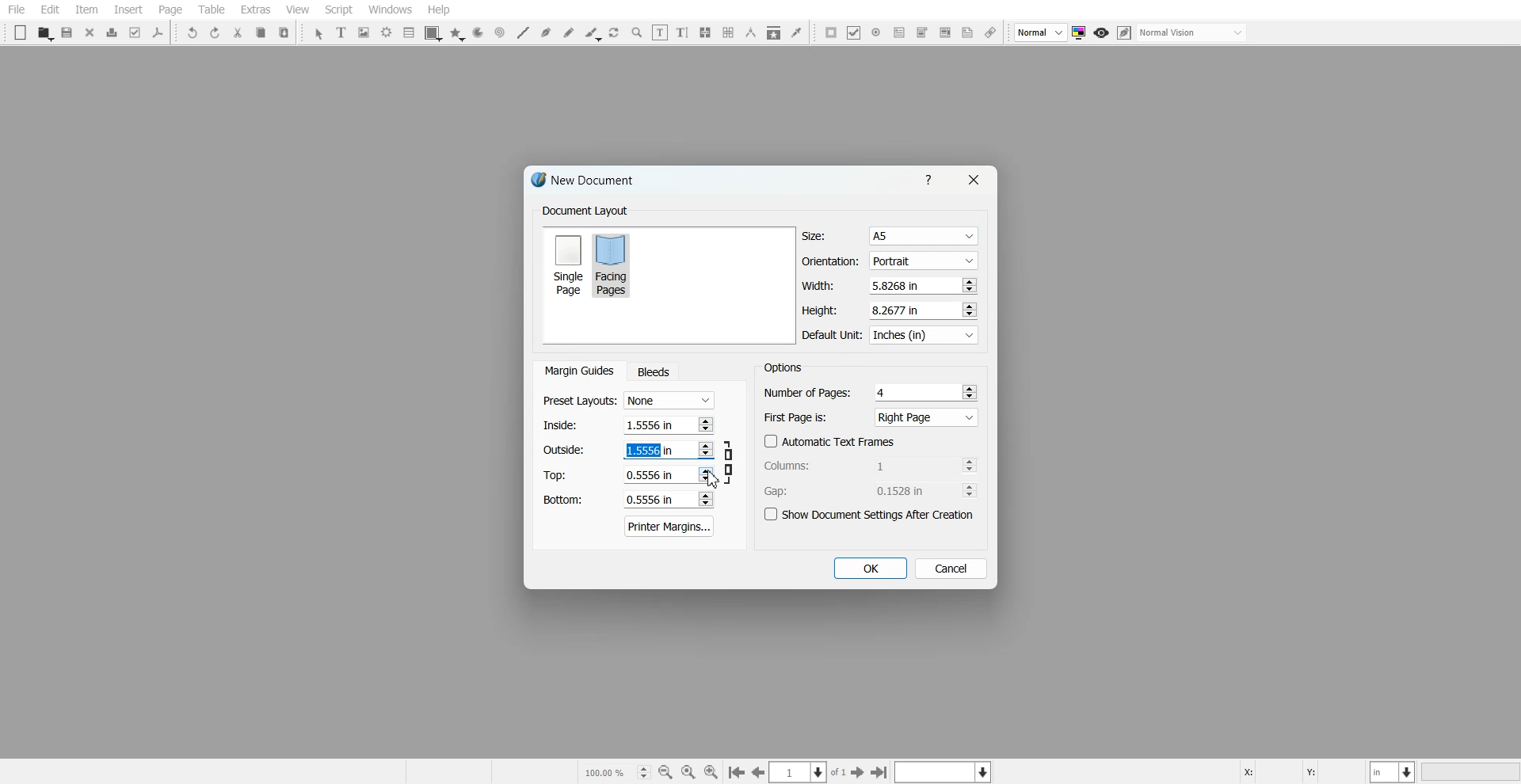 The width and height of the screenshot is (1521, 784). Describe the element at coordinates (21, 32) in the screenshot. I see `New` at that location.